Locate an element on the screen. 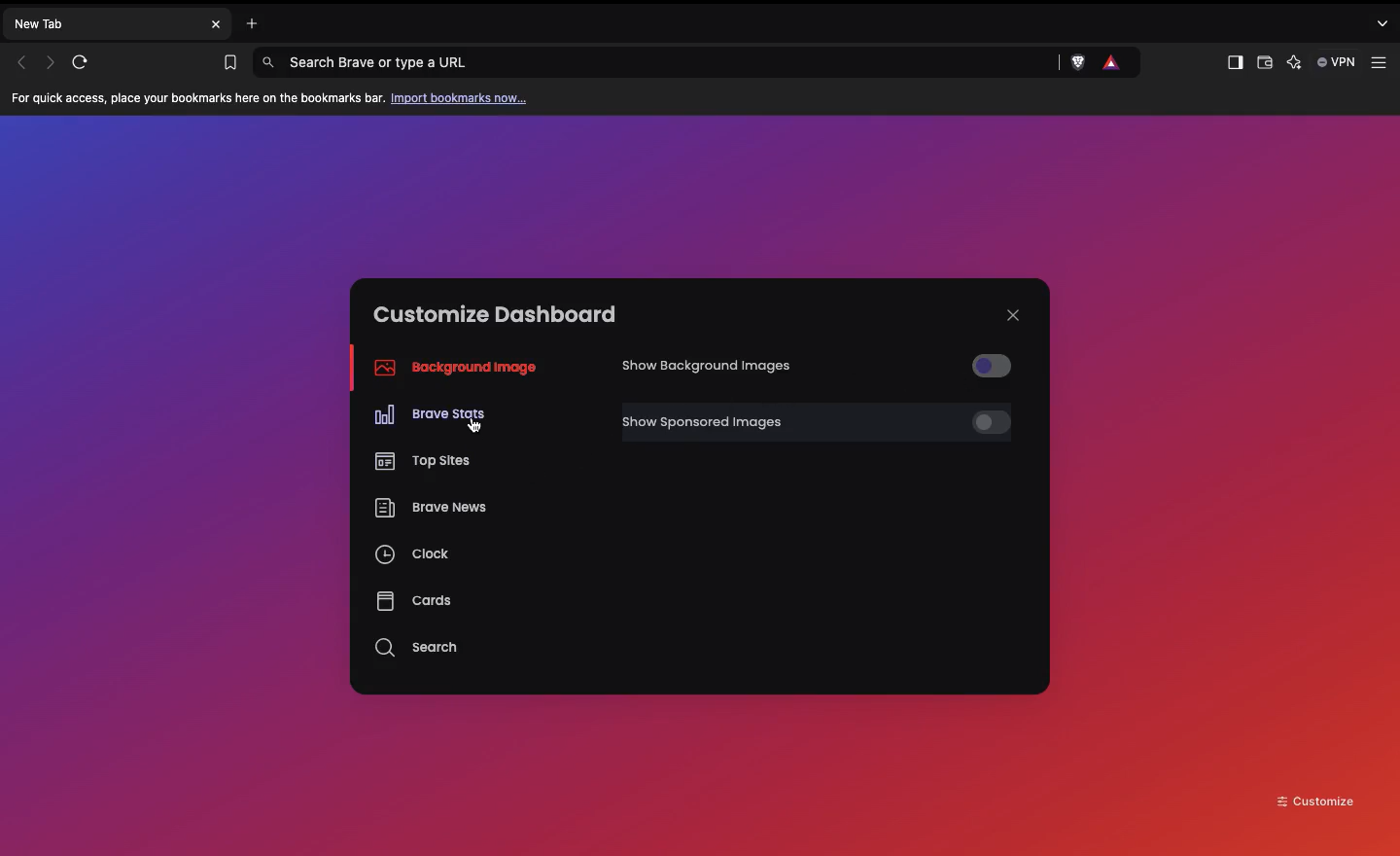 The height and width of the screenshot is (856, 1400). For quick access, place your bookmarks here on the bookmarks bar. is located at coordinates (198, 99).